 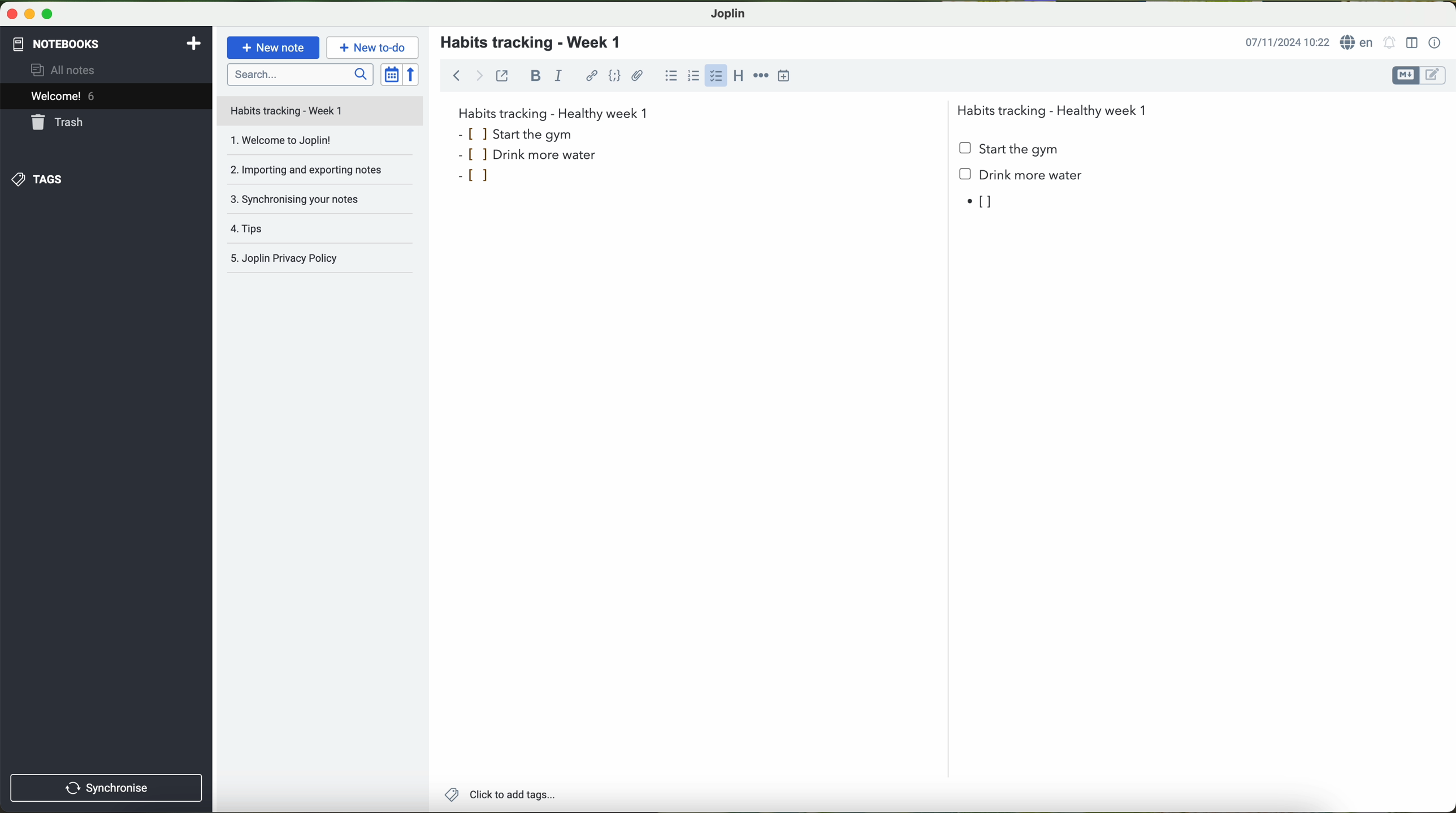 I want to click on importing and exporting notes, so click(x=319, y=174).